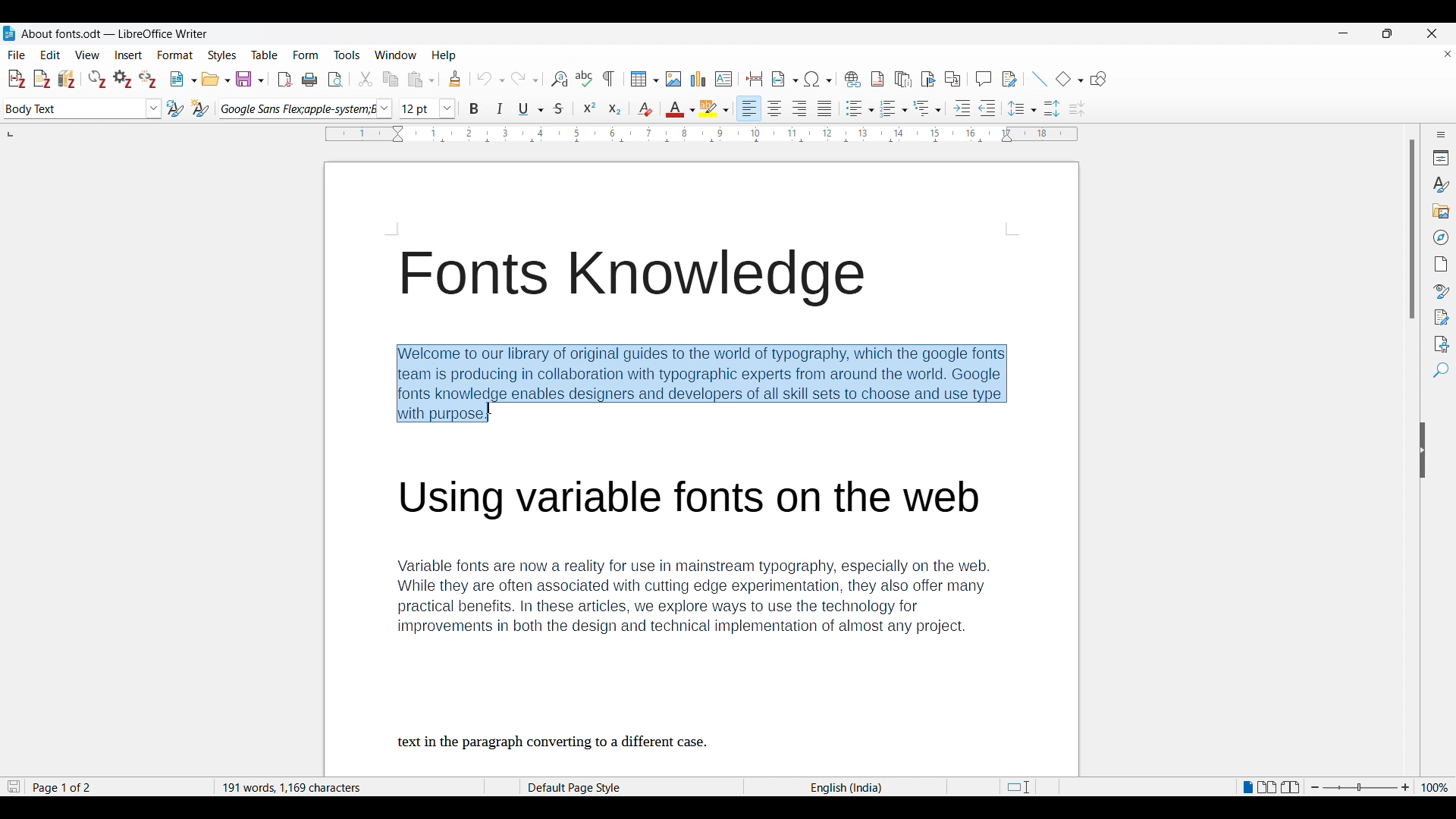 The width and height of the screenshot is (1456, 819). What do you see at coordinates (1442, 318) in the screenshot?
I see `Manage changes` at bounding box center [1442, 318].